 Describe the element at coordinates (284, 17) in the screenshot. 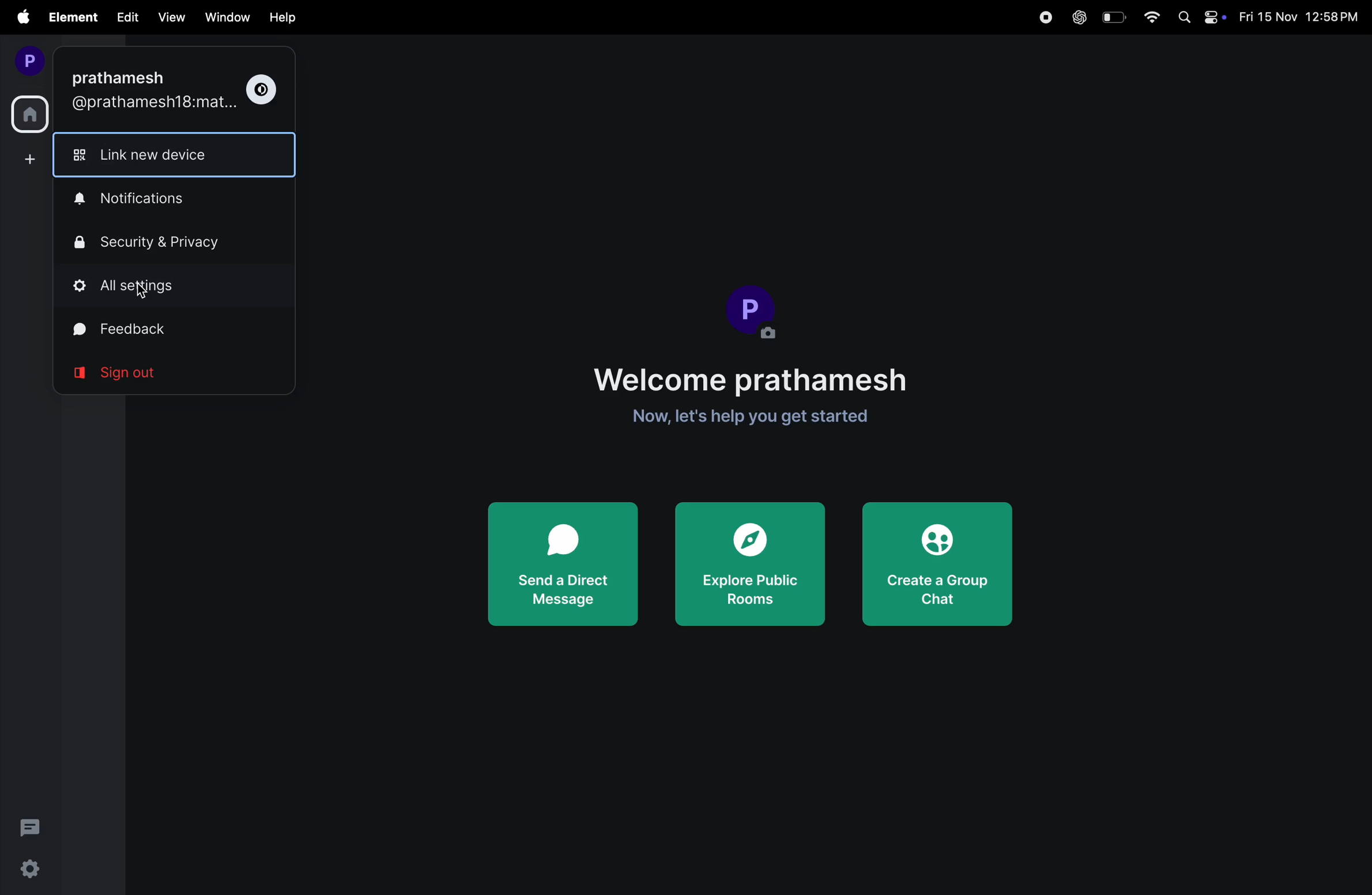

I see `Help` at that location.